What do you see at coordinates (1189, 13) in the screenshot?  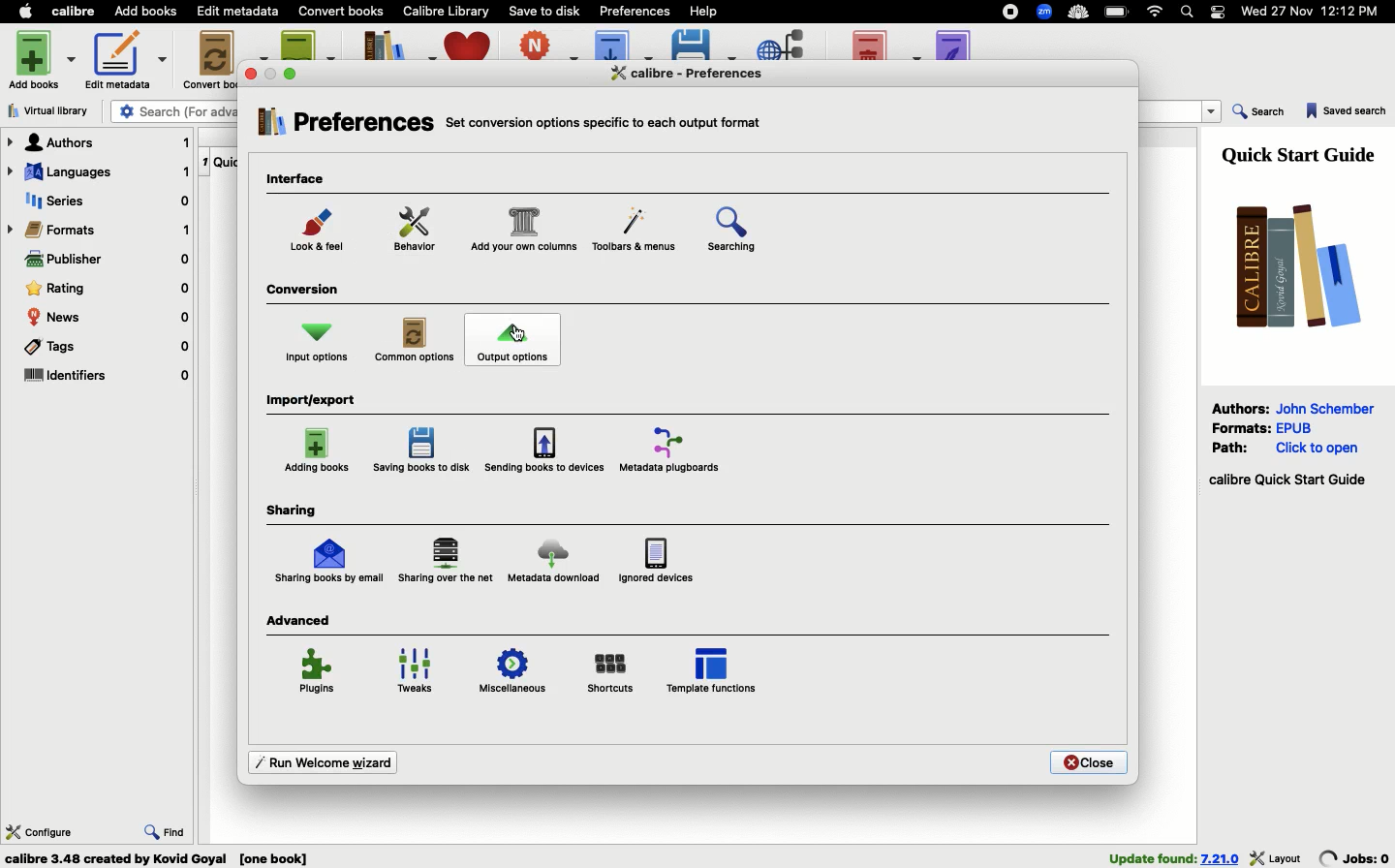 I see `Search bar` at bounding box center [1189, 13].